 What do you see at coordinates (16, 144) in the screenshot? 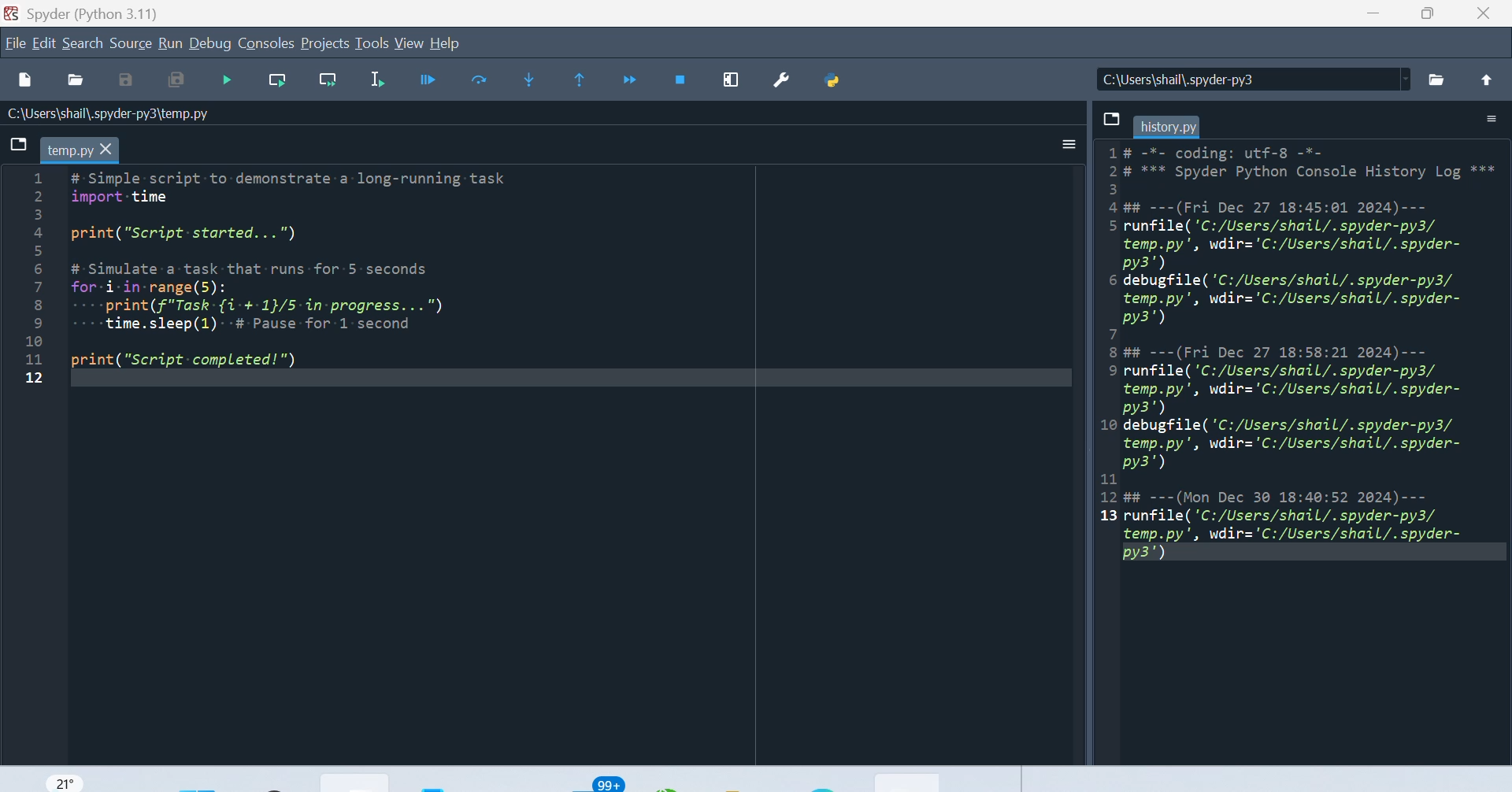
I see `files` at bounding box center [16, 144].